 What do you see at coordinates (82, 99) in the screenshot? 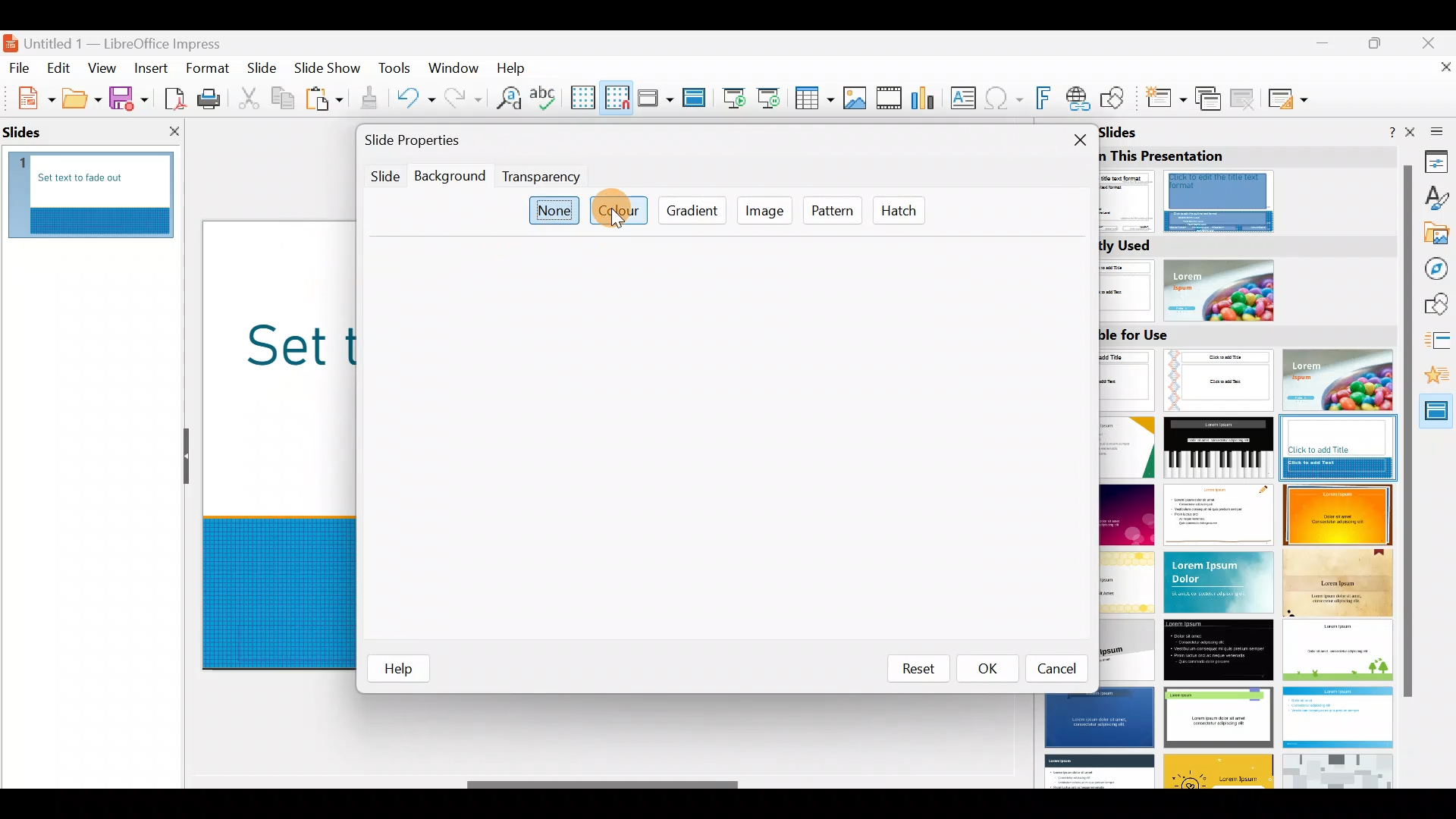
I see `Open` at bounding box center [82, 99].